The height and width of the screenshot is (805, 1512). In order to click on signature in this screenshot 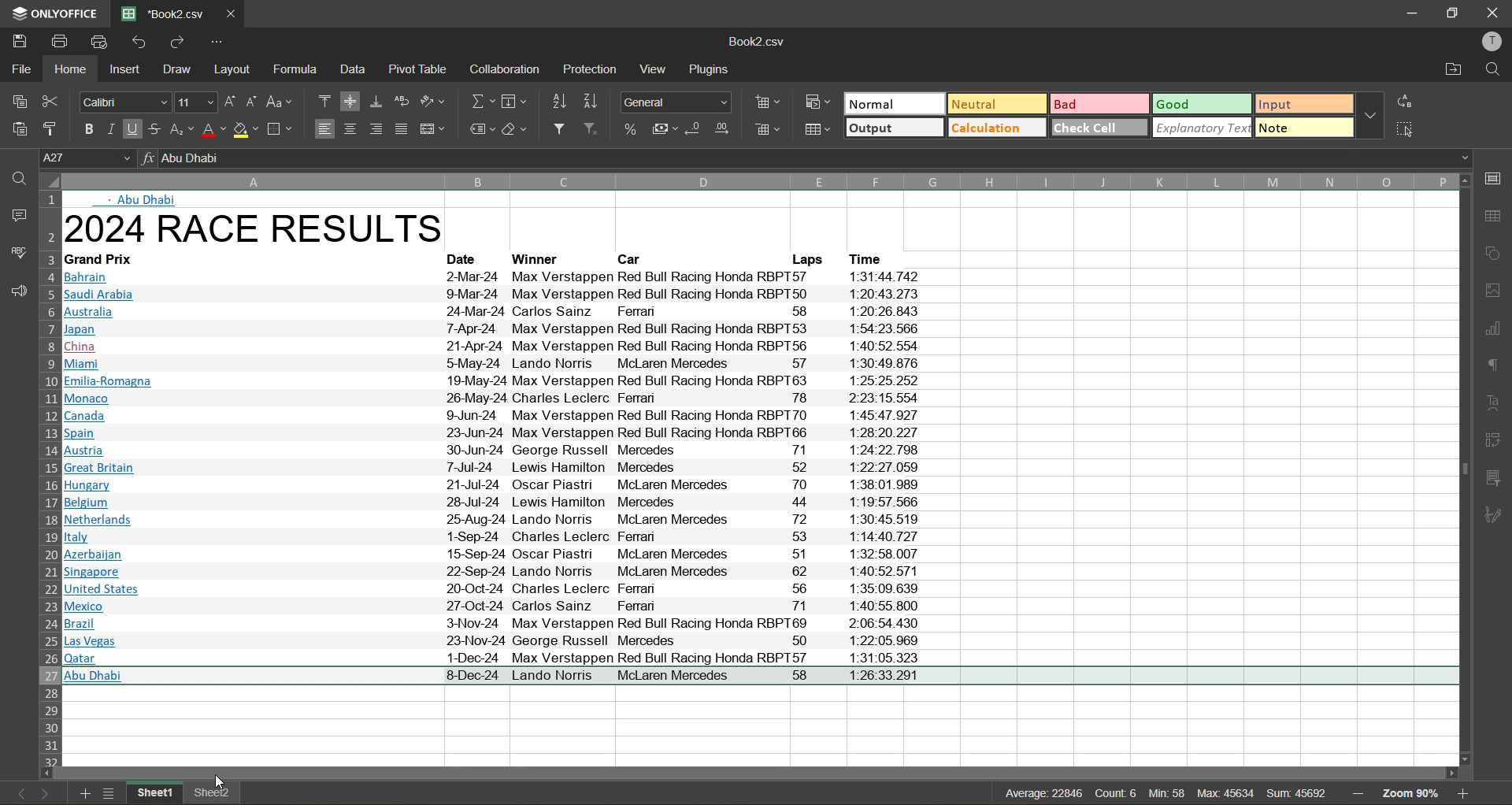, I will do `click(1496, 514)`.